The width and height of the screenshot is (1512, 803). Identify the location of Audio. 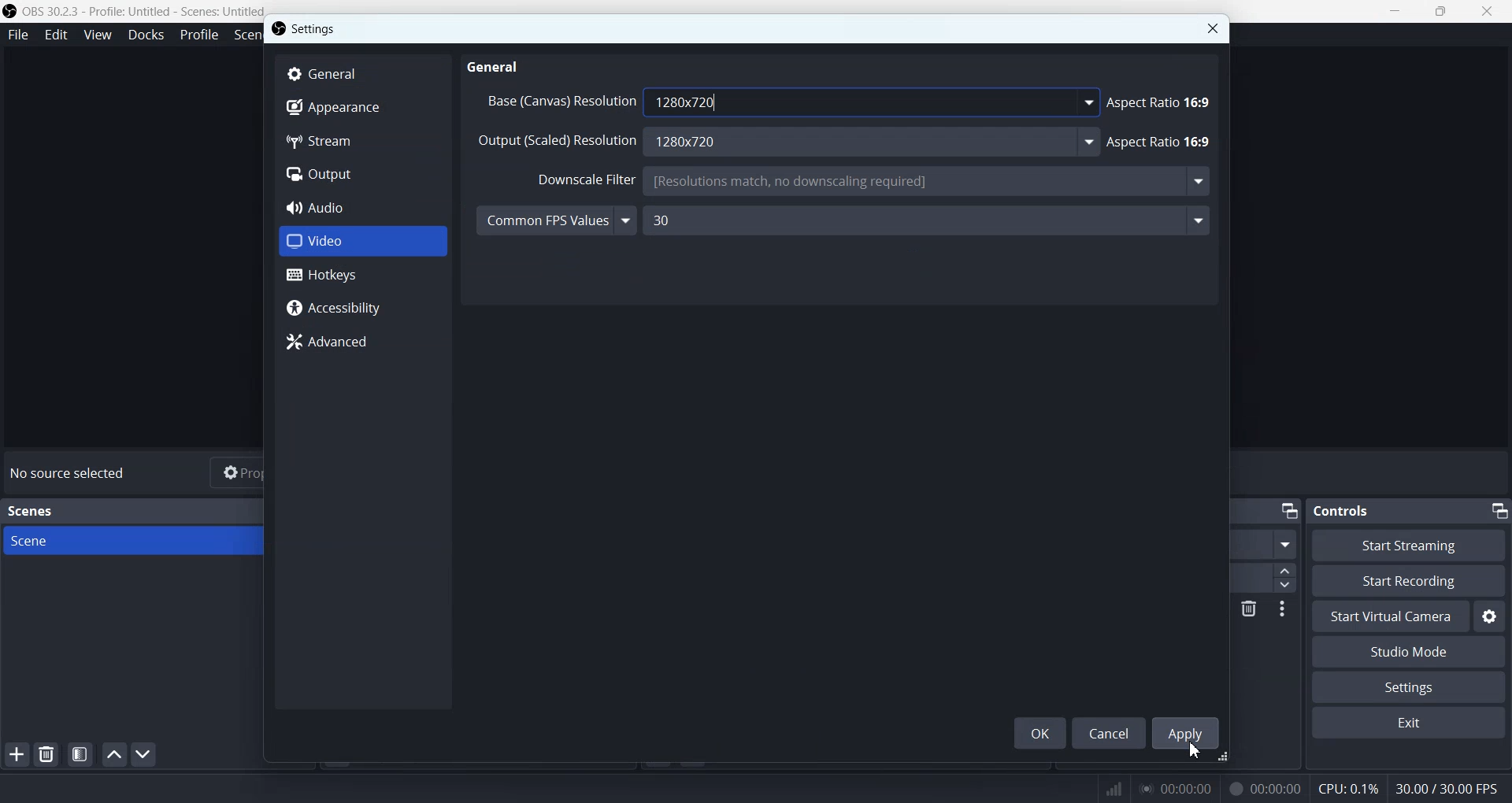
(361, 208).